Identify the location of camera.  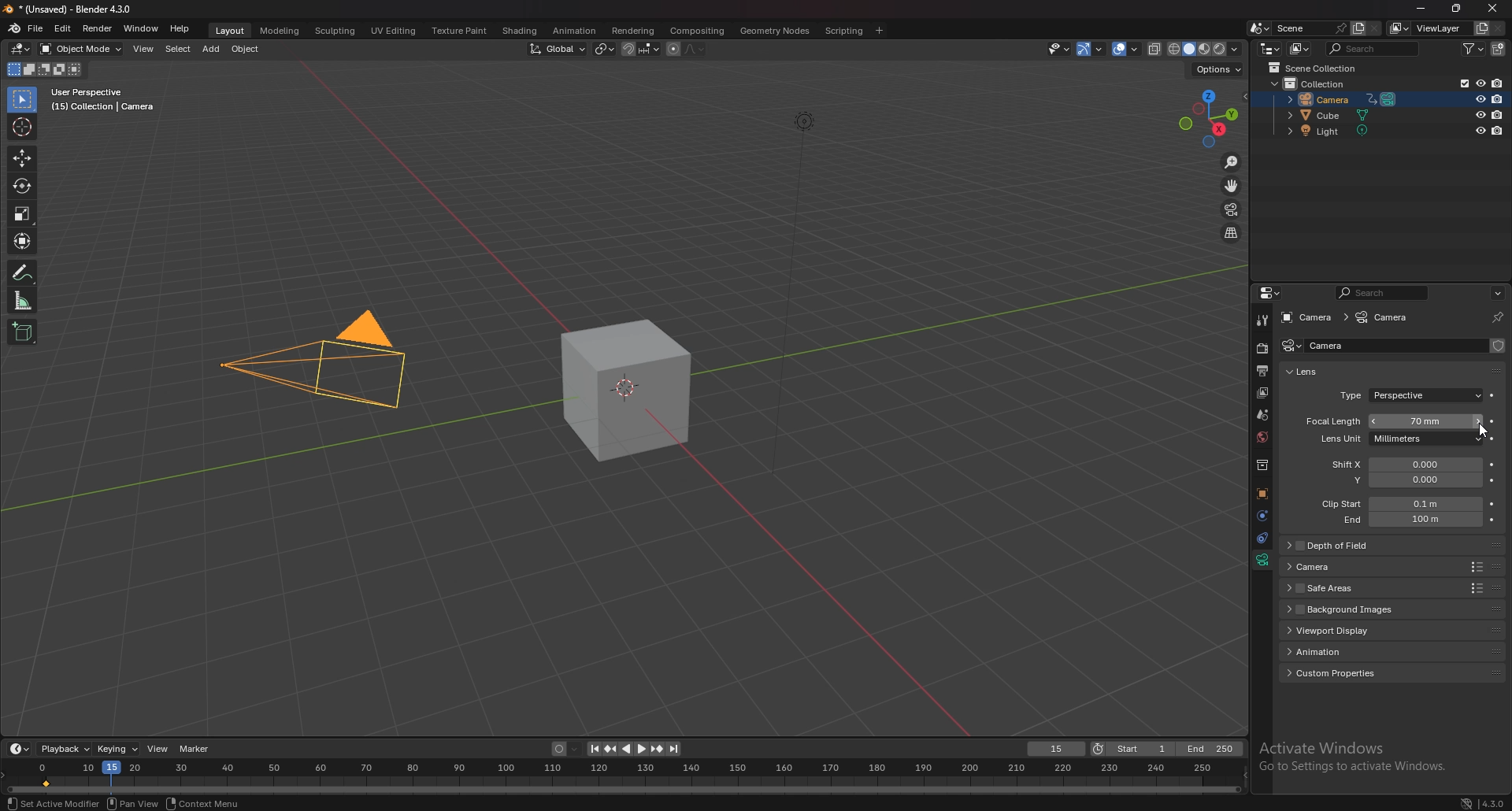
(298, 365).